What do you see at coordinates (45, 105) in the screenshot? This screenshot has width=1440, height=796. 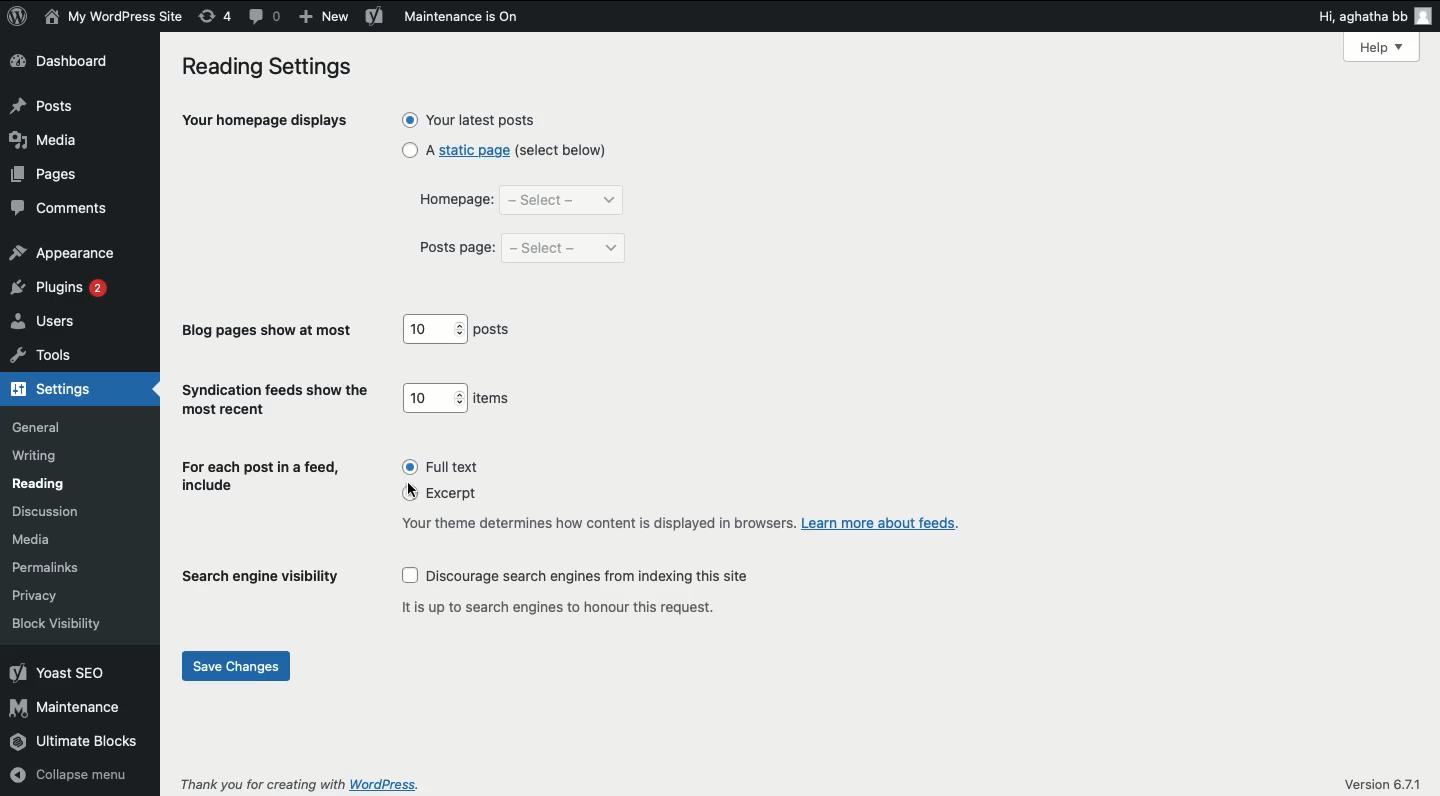 I see `posts` at bounding box center [45, 105].